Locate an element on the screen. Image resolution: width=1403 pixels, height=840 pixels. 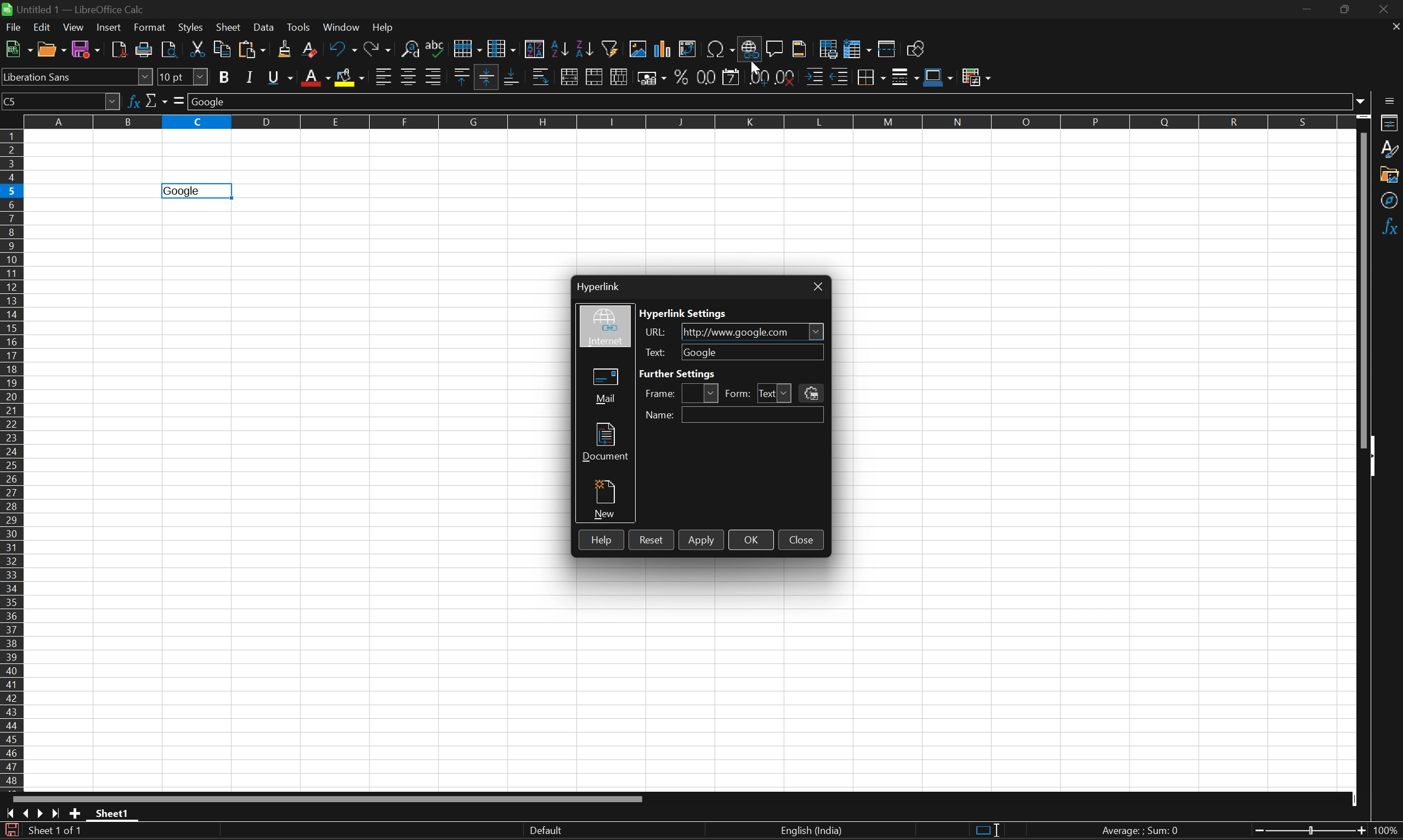
Split window is located at coordinates (886, 49).